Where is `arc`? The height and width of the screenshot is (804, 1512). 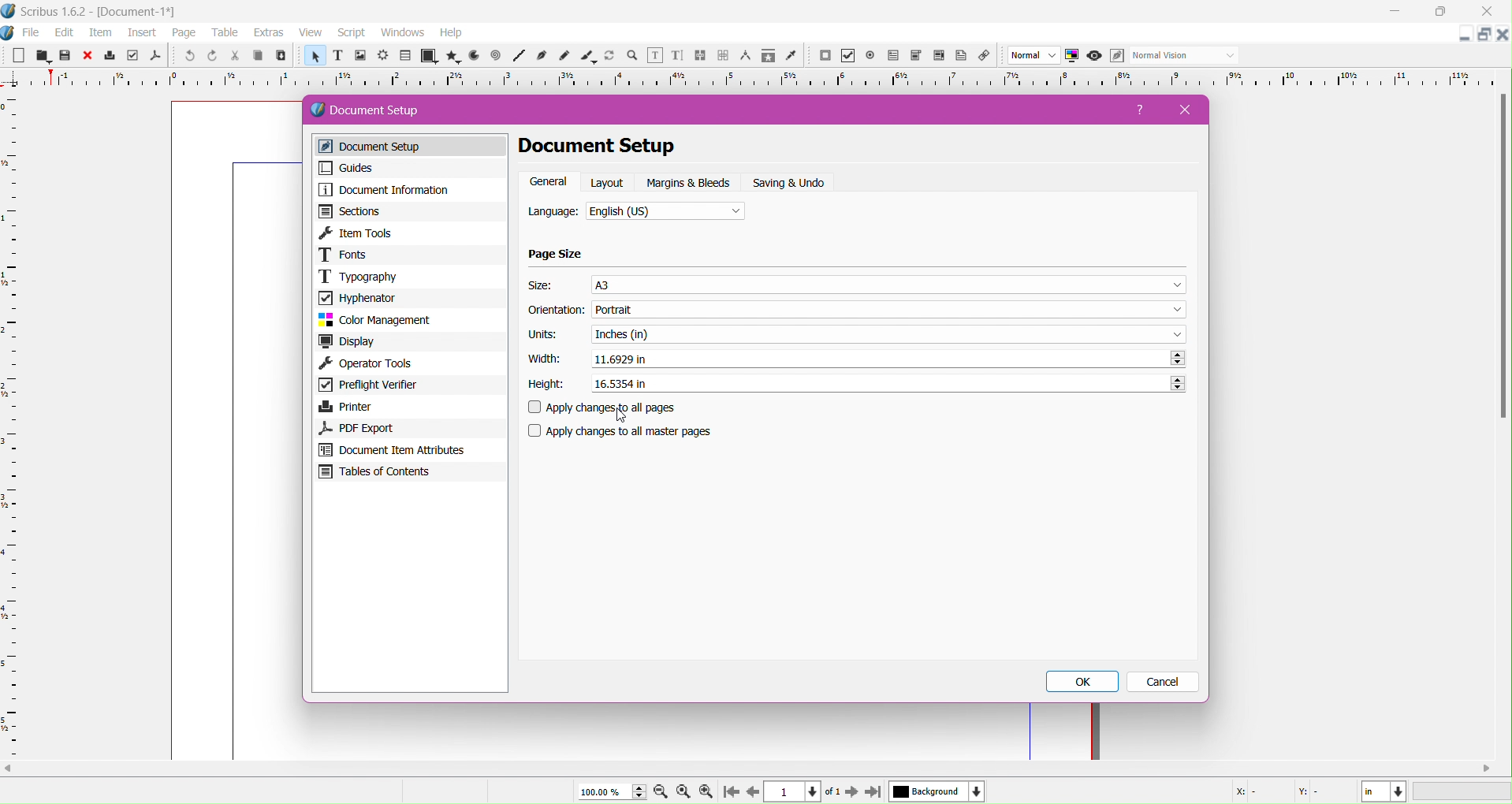 arc is located at coordinates (471, 56).